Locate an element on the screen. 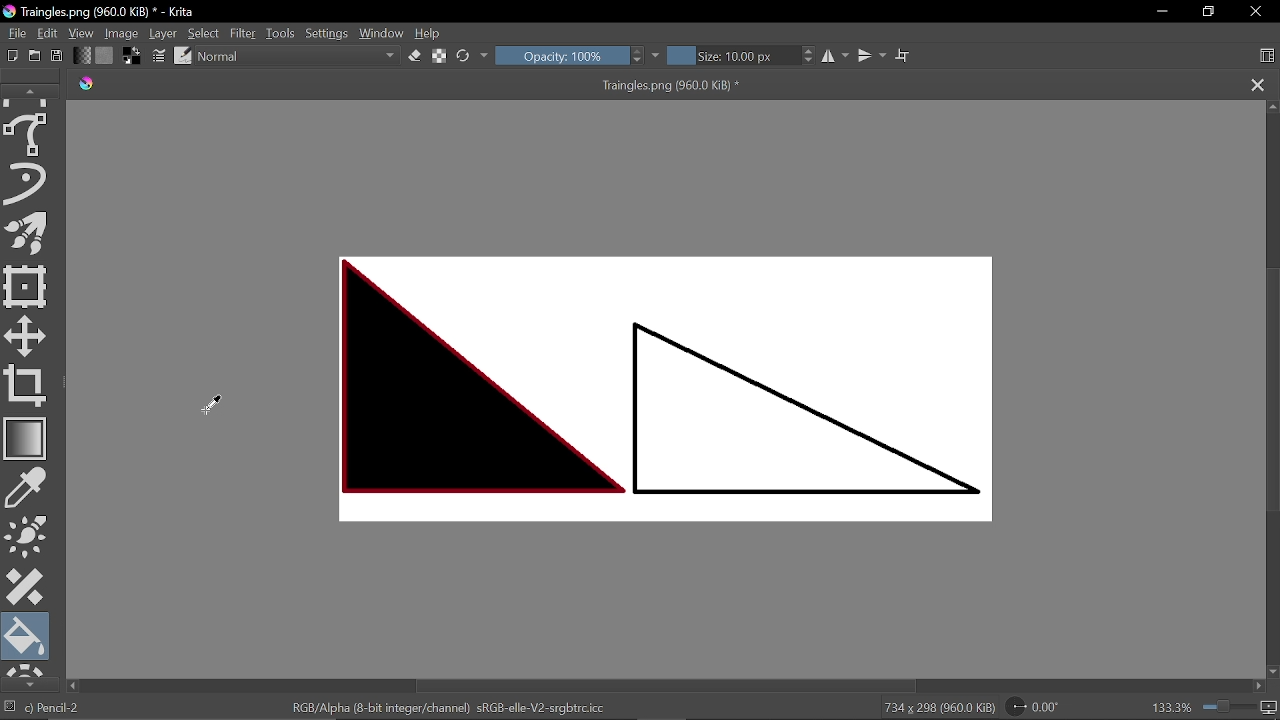 The width and height of the screenshot is (1280, 720). Dynamic brush tool is located at coordinates (28, 182).